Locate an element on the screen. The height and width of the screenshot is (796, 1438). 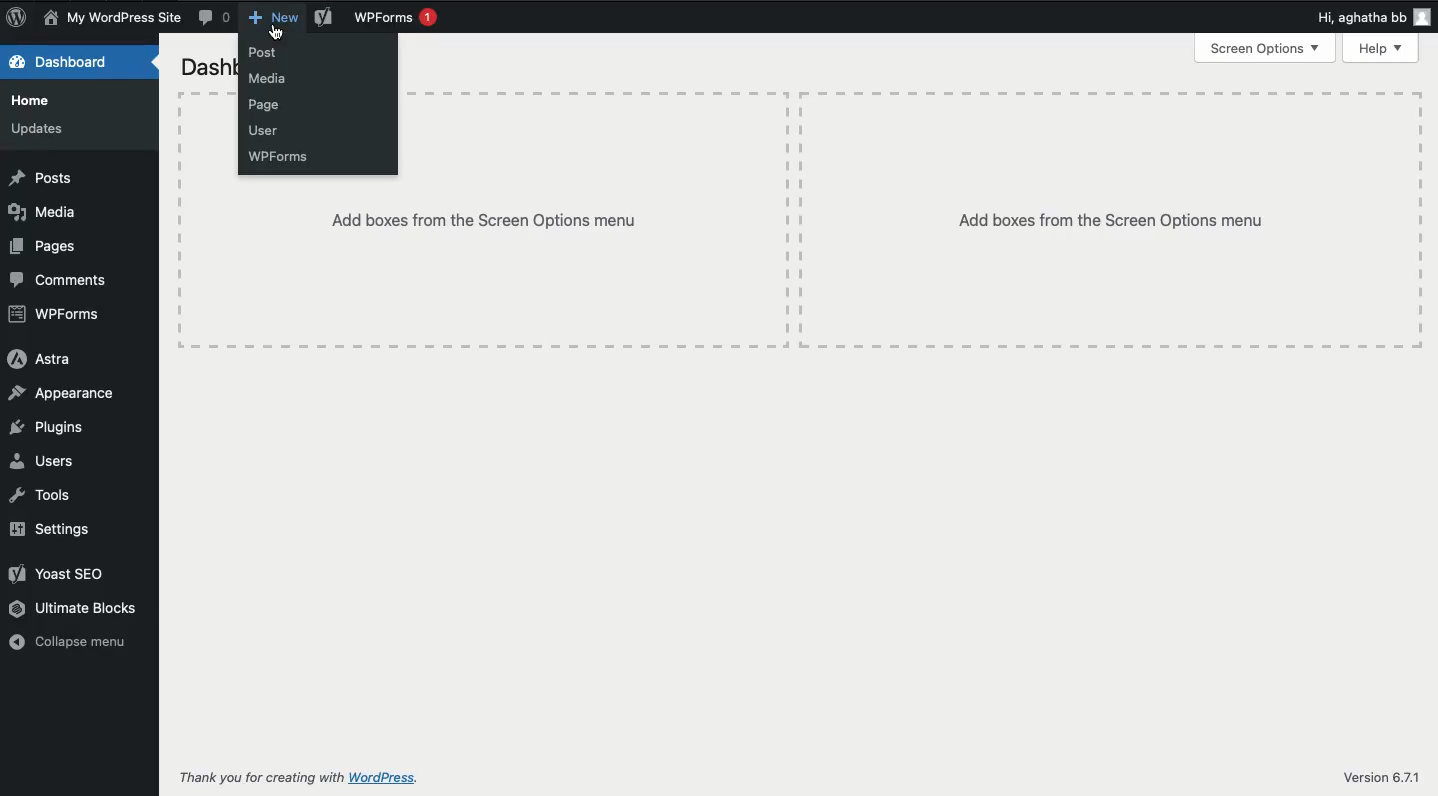
Page is located at coordinates (270, 105).